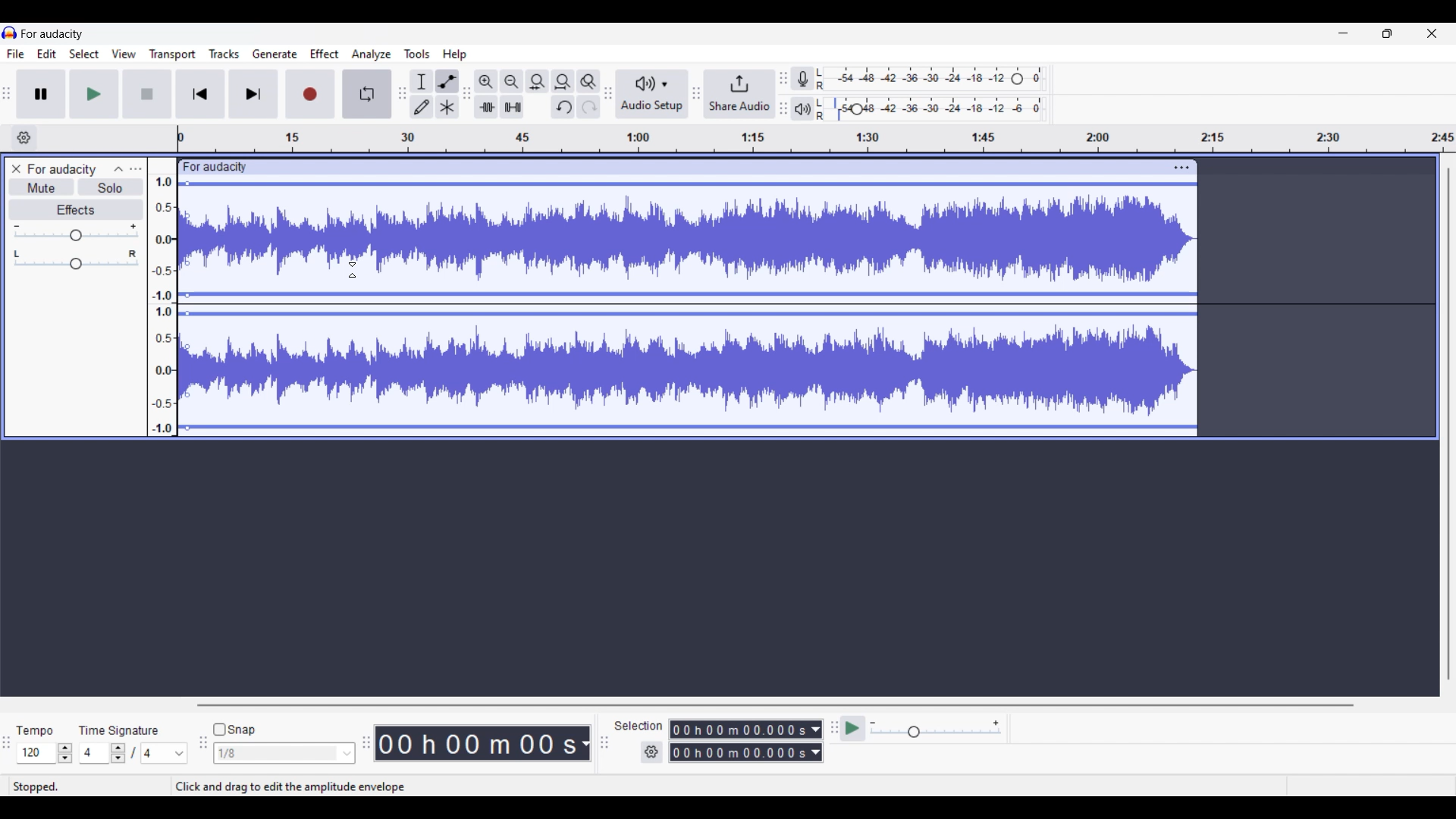 The width and height of the screenshot is (1456, 819). Describe the element at coordinates (688, 304) in the screenshot. I see `Track highlighted due to Envelop tool` at that location.